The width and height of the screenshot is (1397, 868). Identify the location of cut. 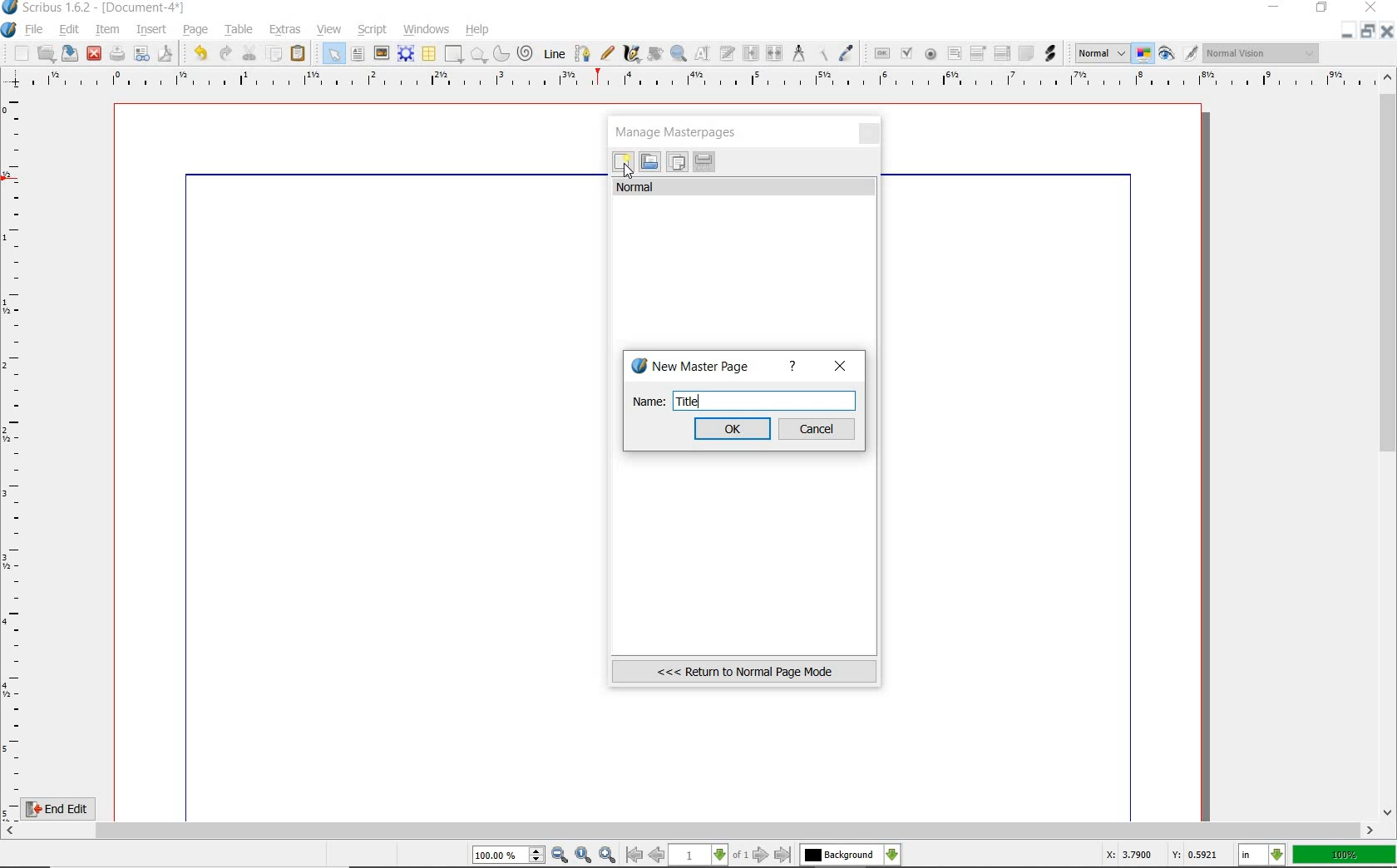
(249, 52).